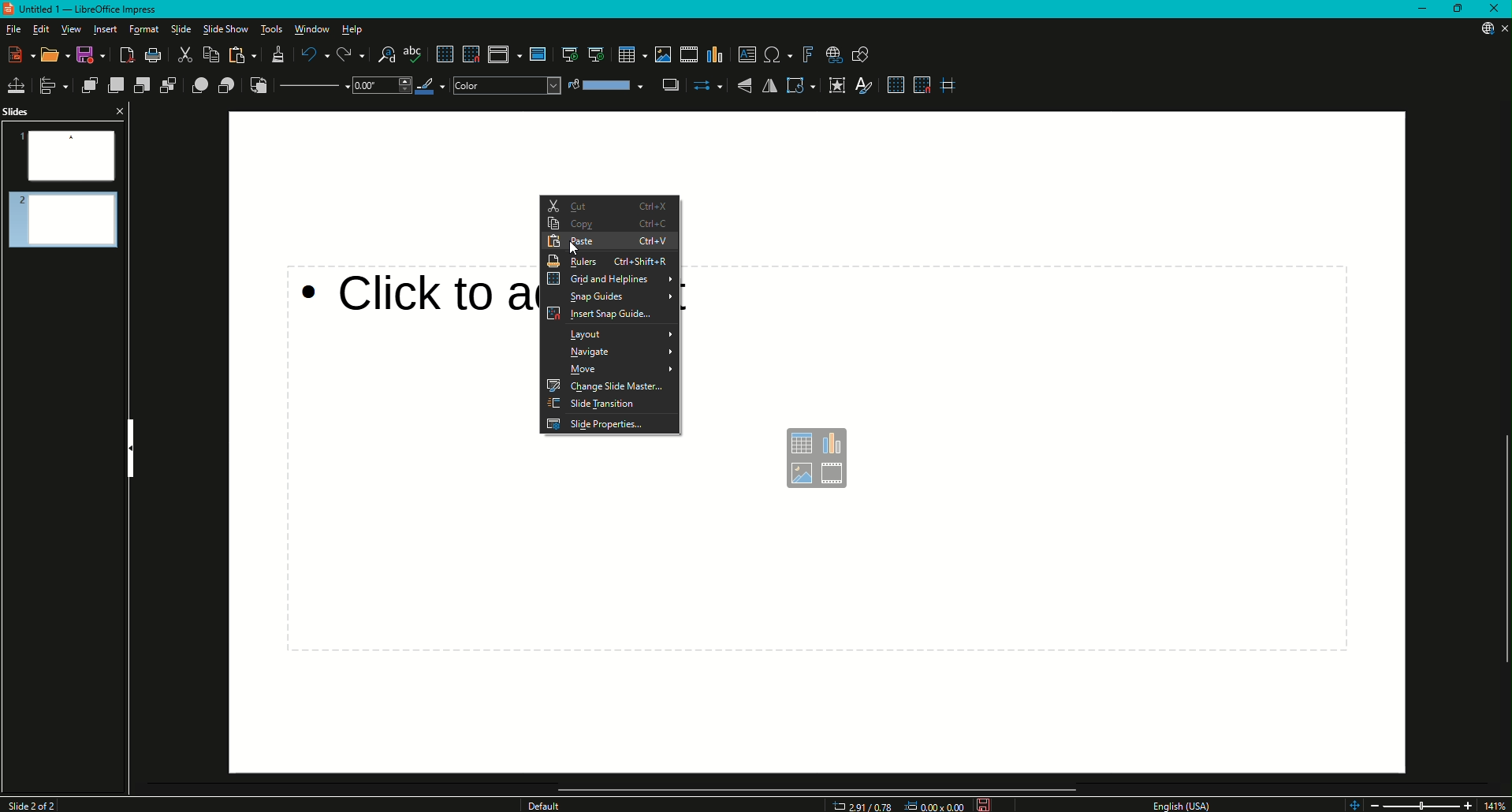 The height and width of the screenshot is (812, 1512). I want to click on Spelling, so click(412, 54).